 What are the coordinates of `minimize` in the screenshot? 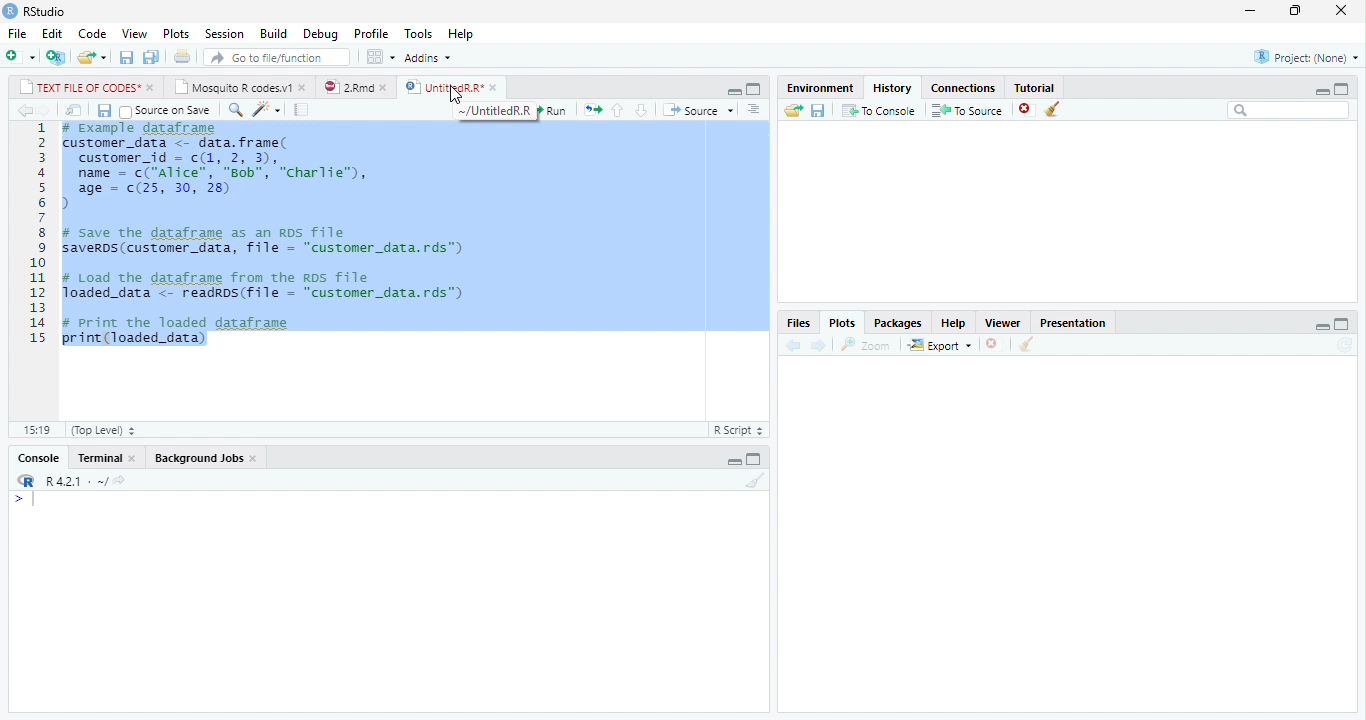 It's located at (1323, 327).